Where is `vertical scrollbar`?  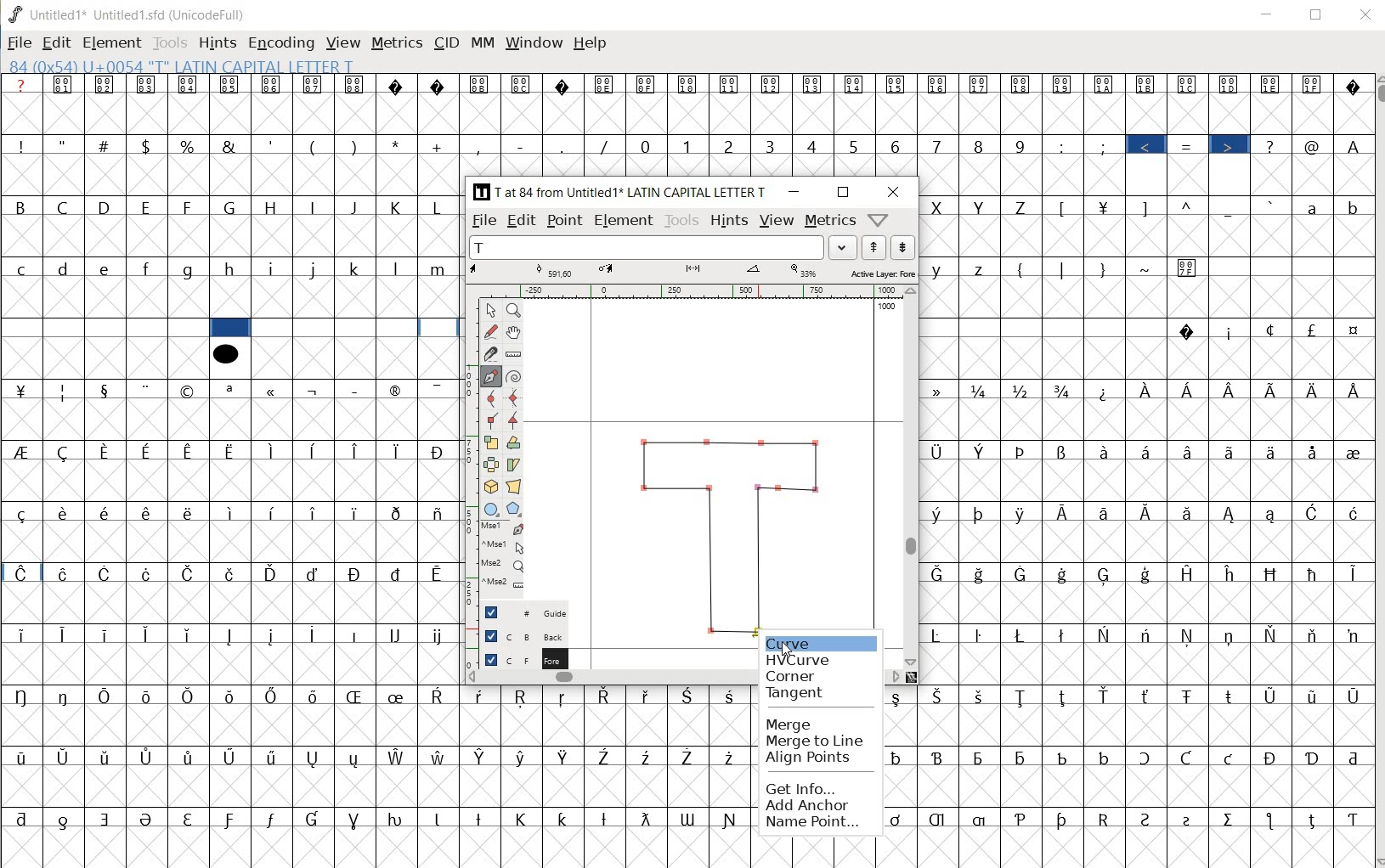
vertical scrollbar is located at coordinates (913, 476).